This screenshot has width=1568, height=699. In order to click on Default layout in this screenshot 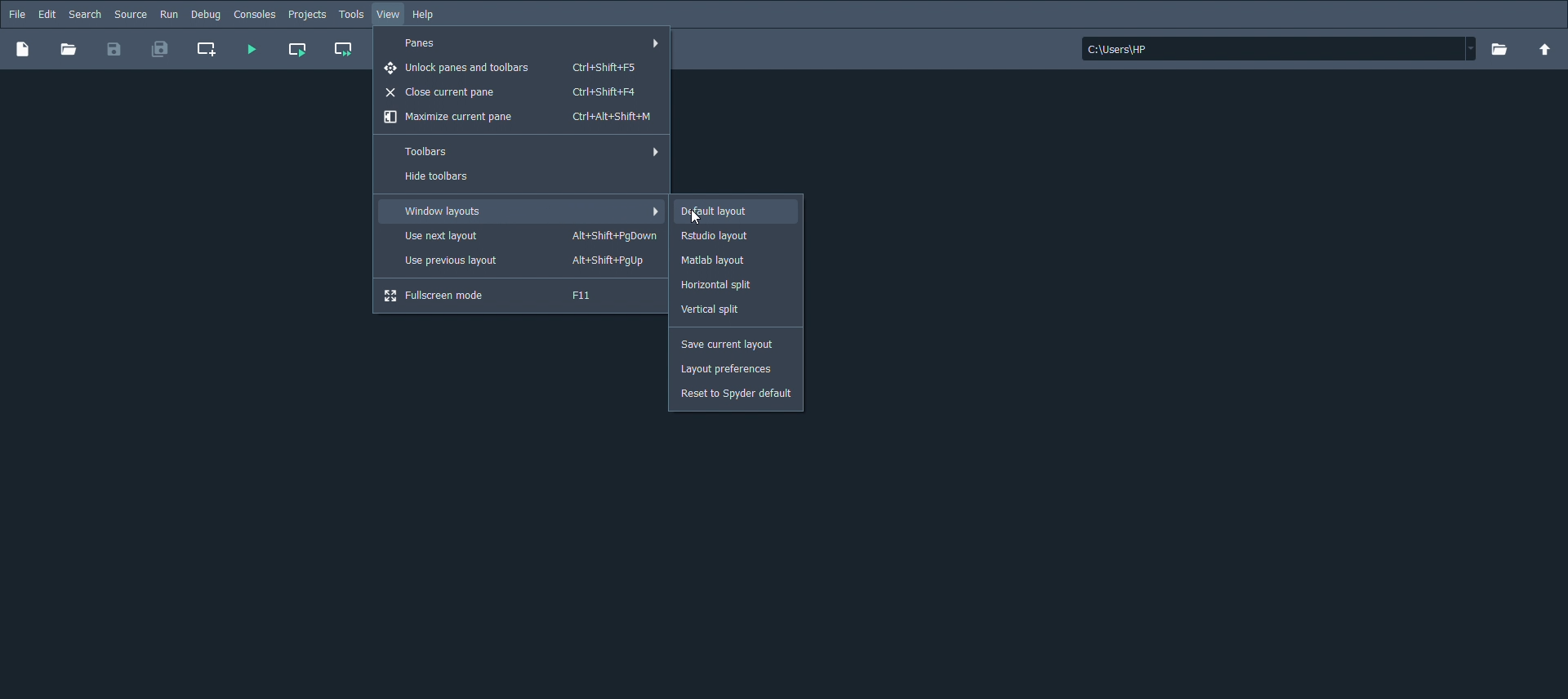, I will do `click(713, 211)`.